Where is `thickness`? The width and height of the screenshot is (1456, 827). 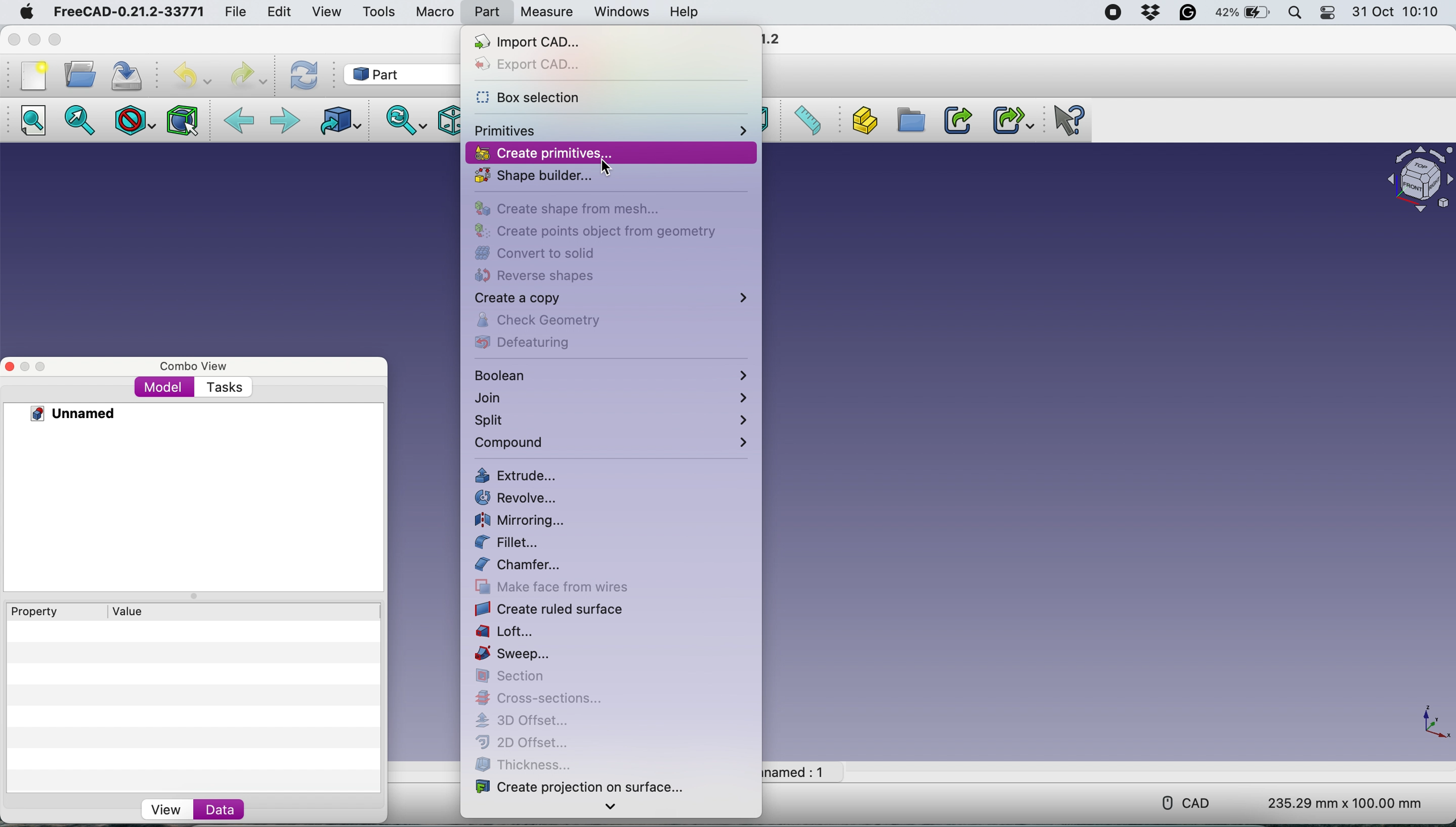 thickness is located at coordinates (525, 763).